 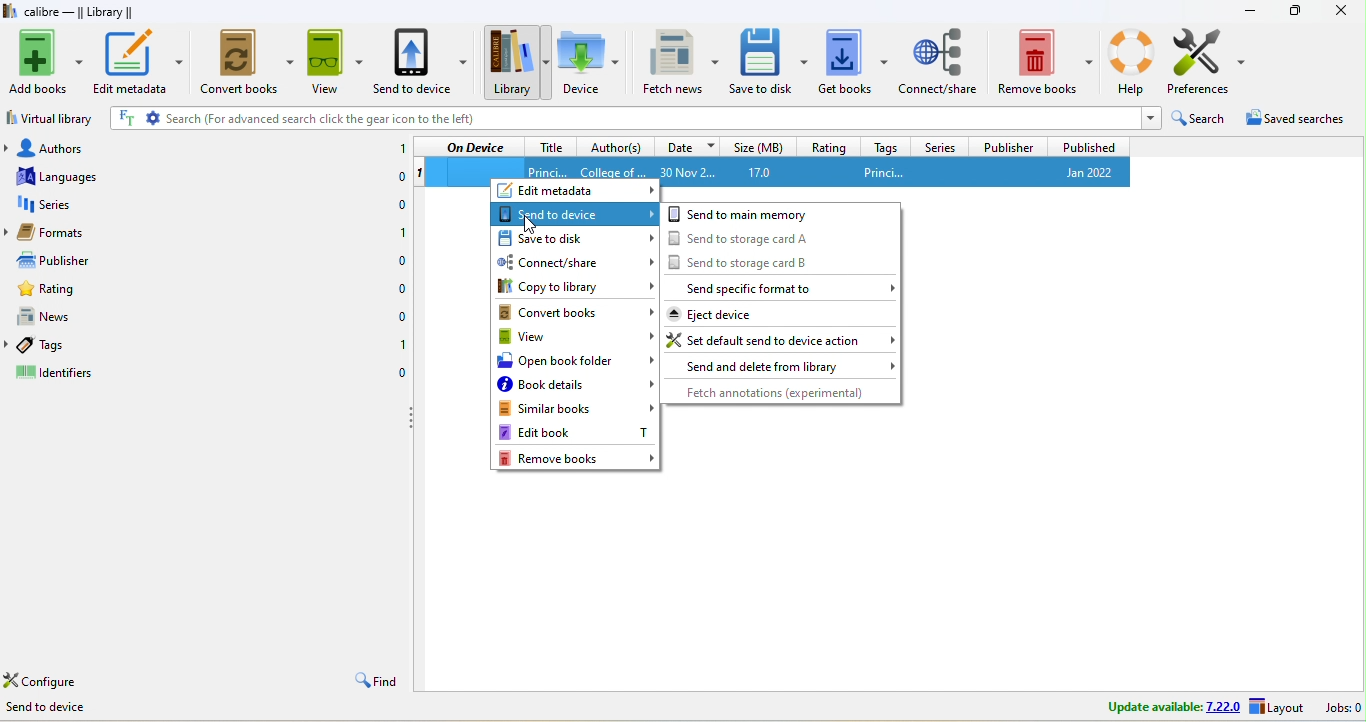 What do you see at coordinates (55, 145) in the screenshot?
I see `authors` at bounding box center [55, 145].